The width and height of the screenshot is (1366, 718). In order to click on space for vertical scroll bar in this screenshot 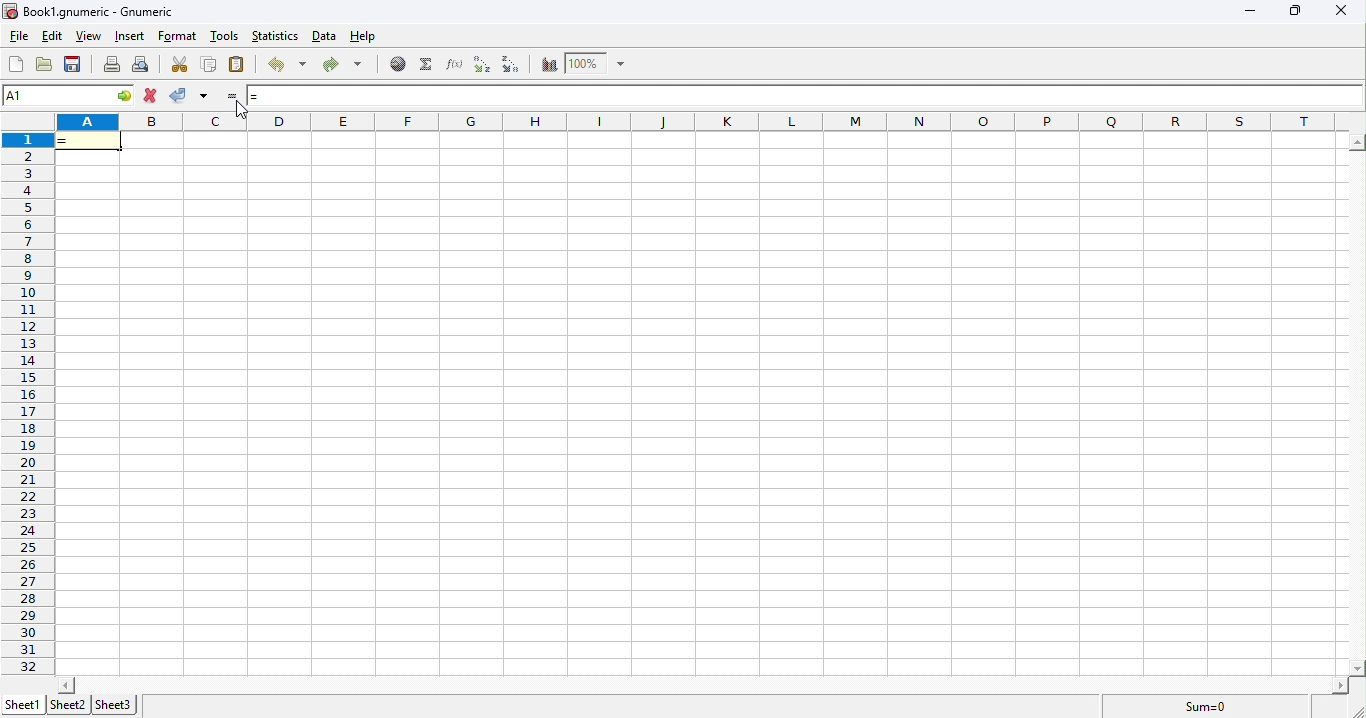, I will do `click(1357, 403)`.